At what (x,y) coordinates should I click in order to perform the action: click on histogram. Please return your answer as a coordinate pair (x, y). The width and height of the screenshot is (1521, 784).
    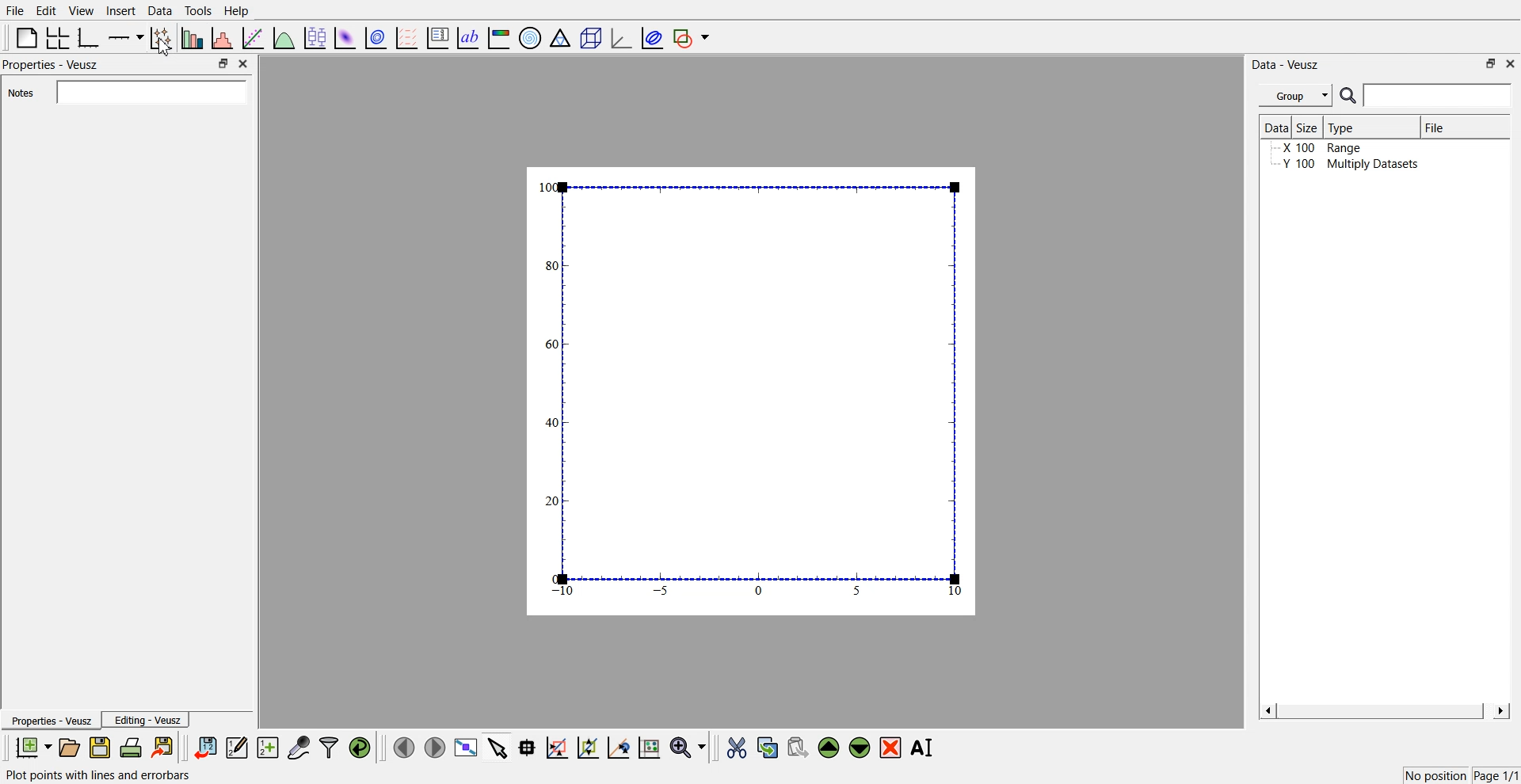
    Looking at the image, I should click on (225, 37).